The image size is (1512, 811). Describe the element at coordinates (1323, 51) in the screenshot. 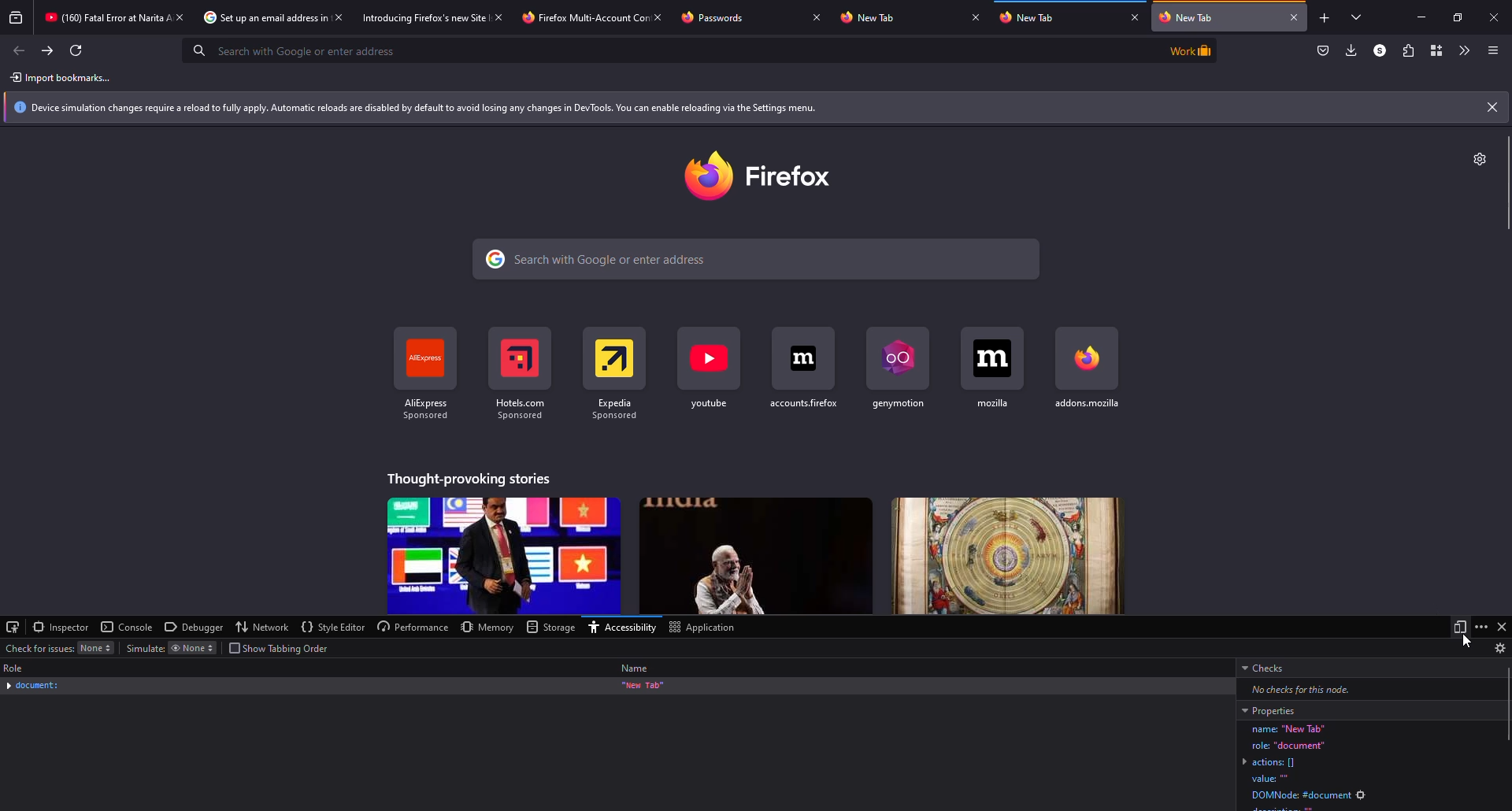

I see `save to packet` at that location.